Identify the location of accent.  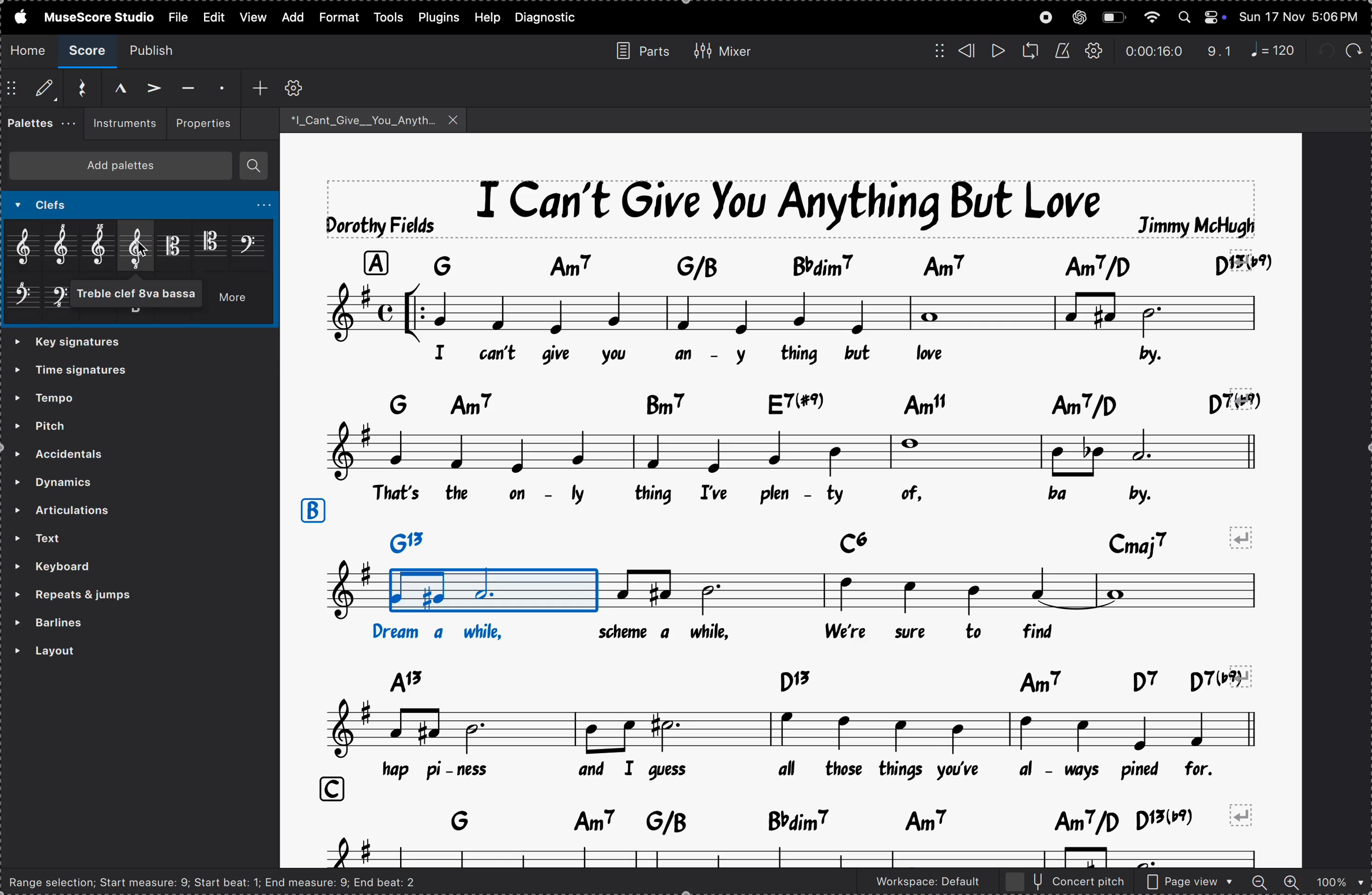
(149, 86).